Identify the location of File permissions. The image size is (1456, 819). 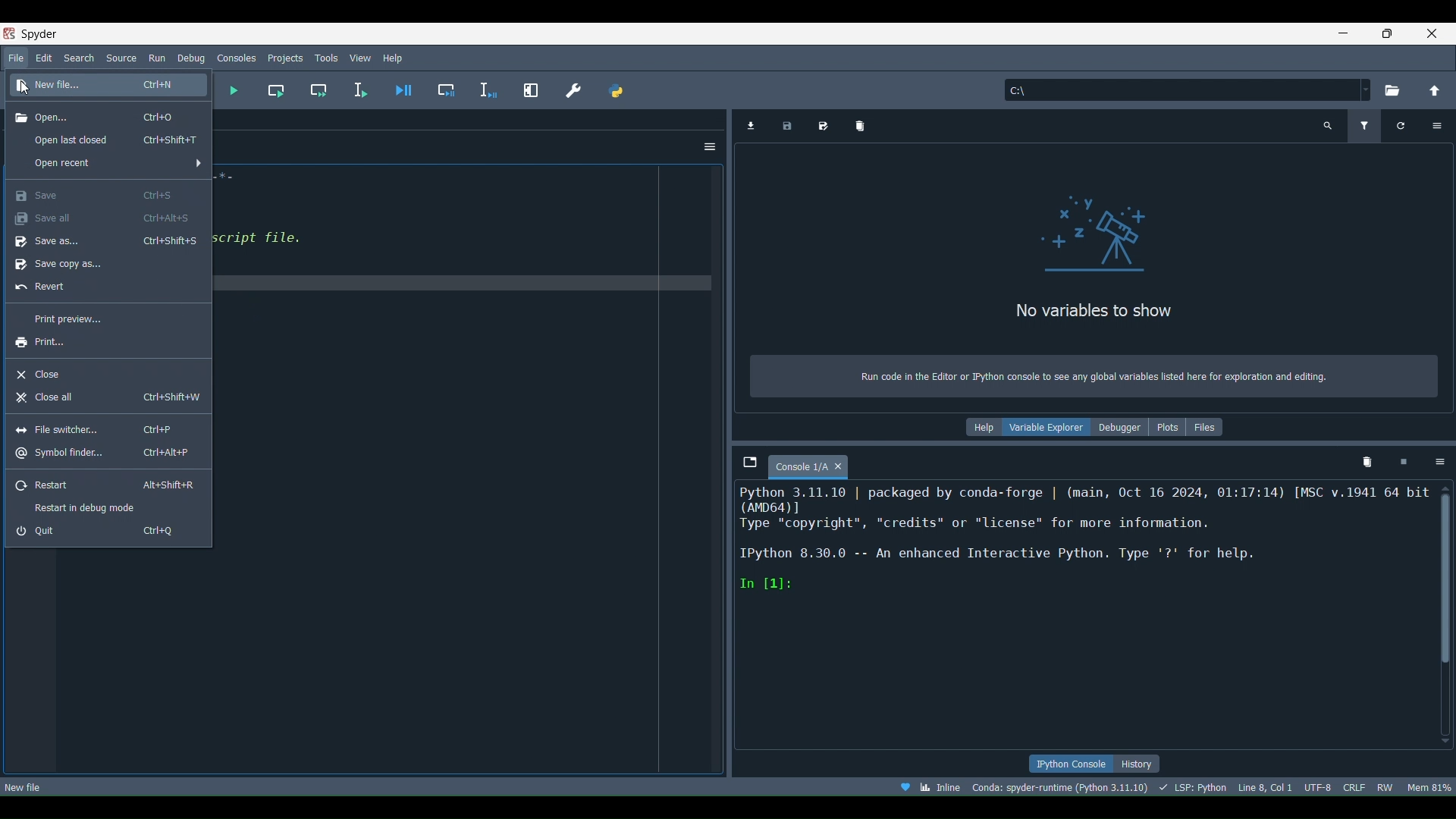
(1384, 786).